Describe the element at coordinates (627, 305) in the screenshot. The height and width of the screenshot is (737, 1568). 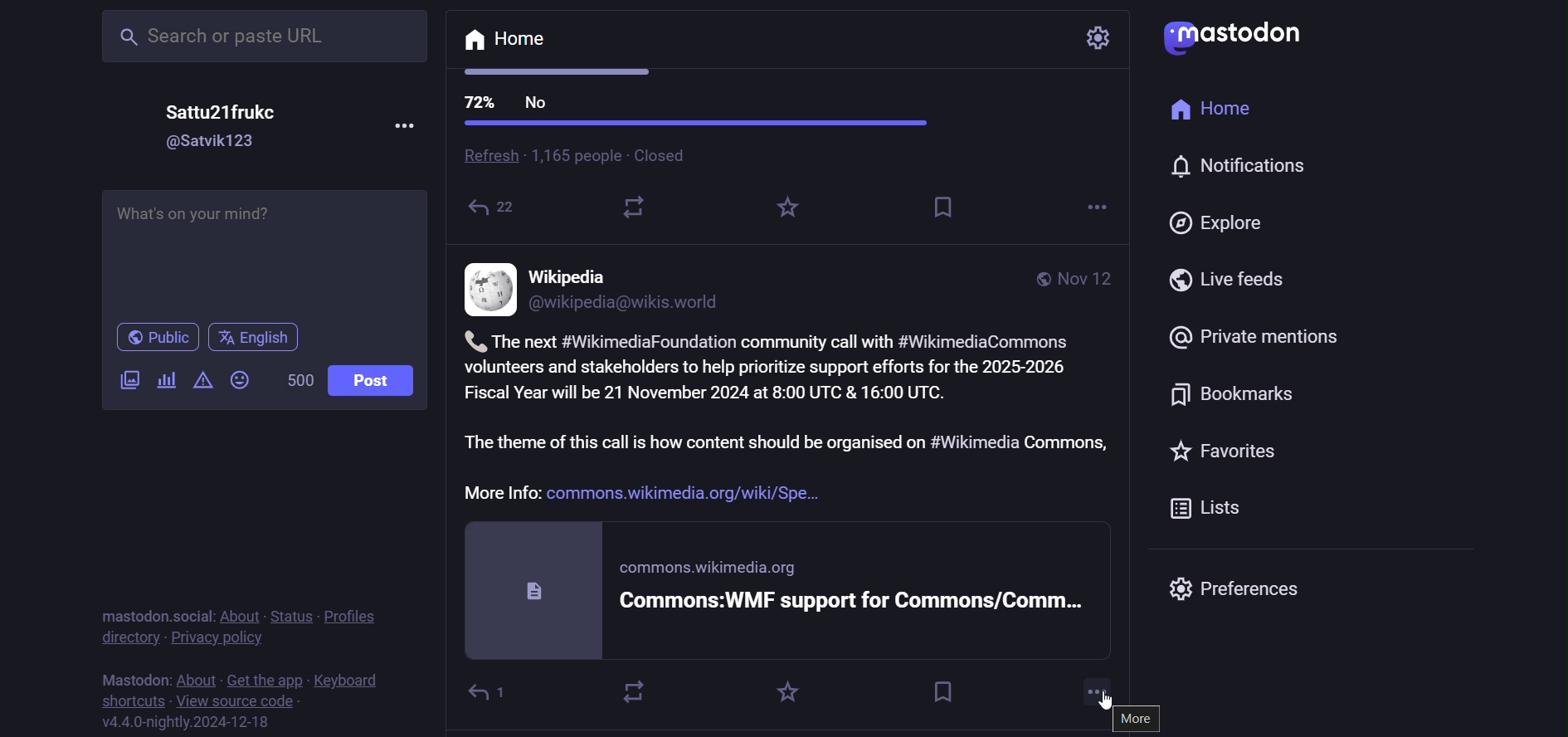
I see `id` at that location.